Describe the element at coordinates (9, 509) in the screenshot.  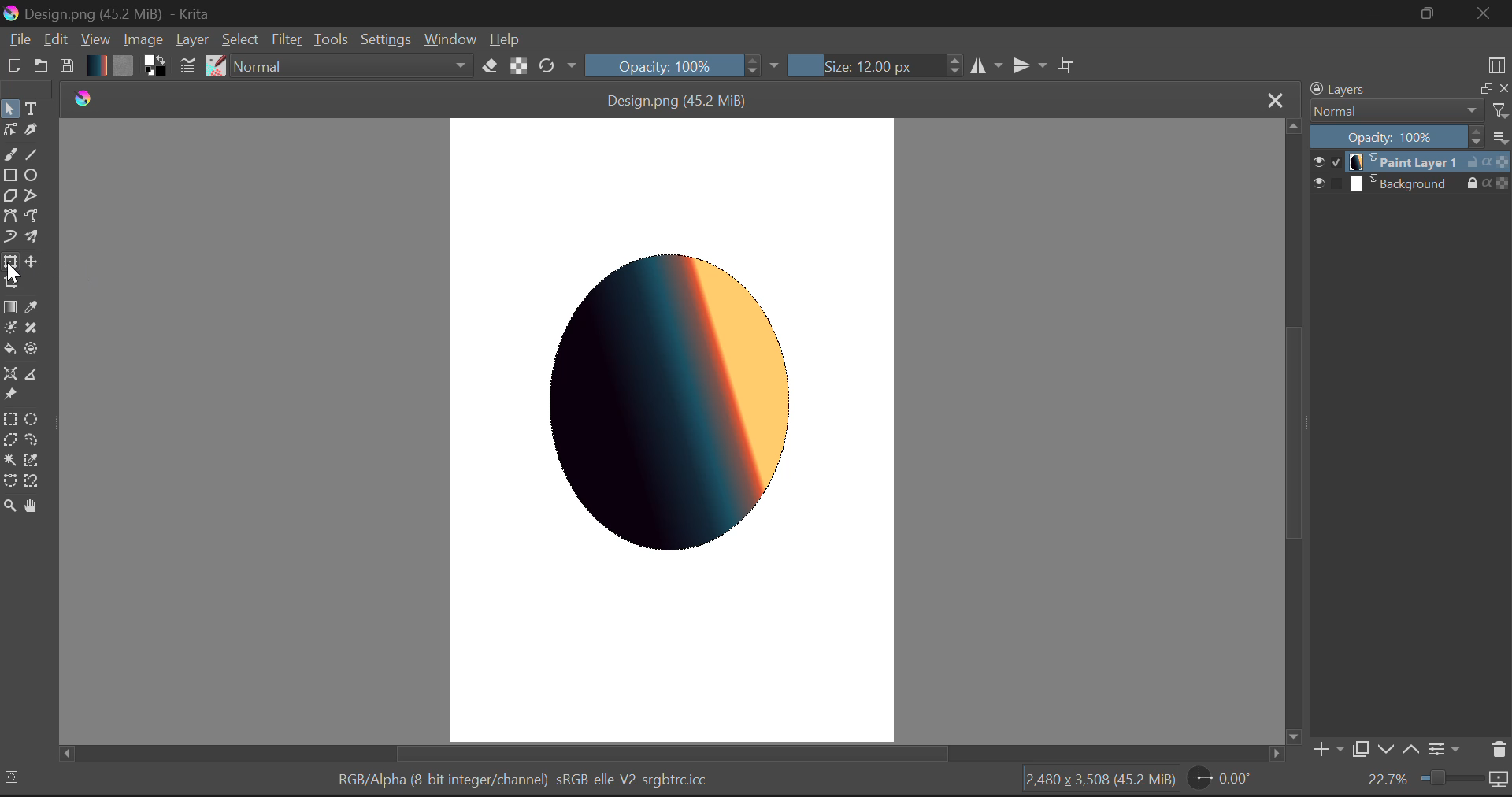
I see `Zoom` at that location.